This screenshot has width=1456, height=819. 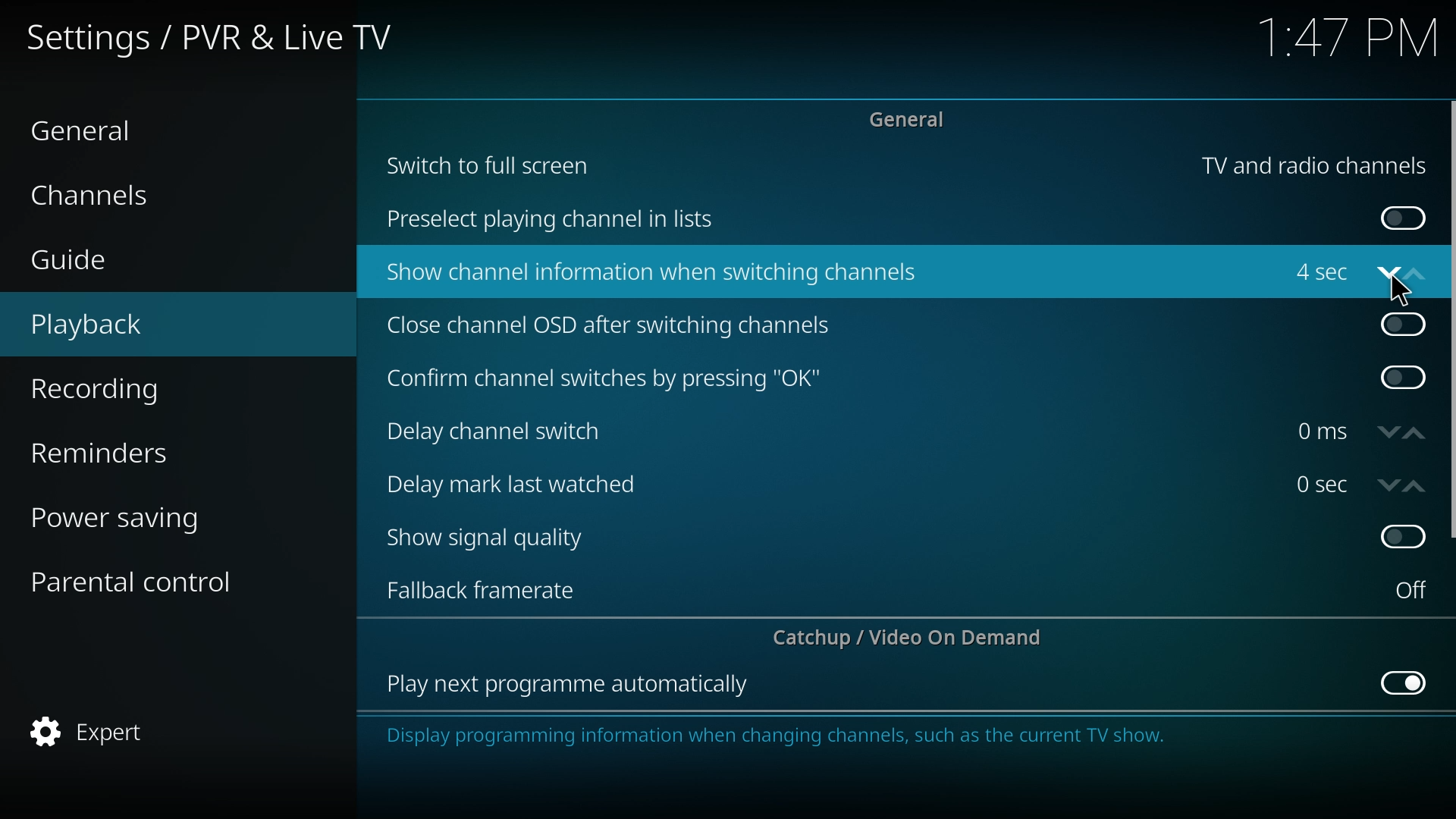 What do you see at coordinates (1322, 431) in the screenshot?
I see `time` at bounding box center [1322, 431].